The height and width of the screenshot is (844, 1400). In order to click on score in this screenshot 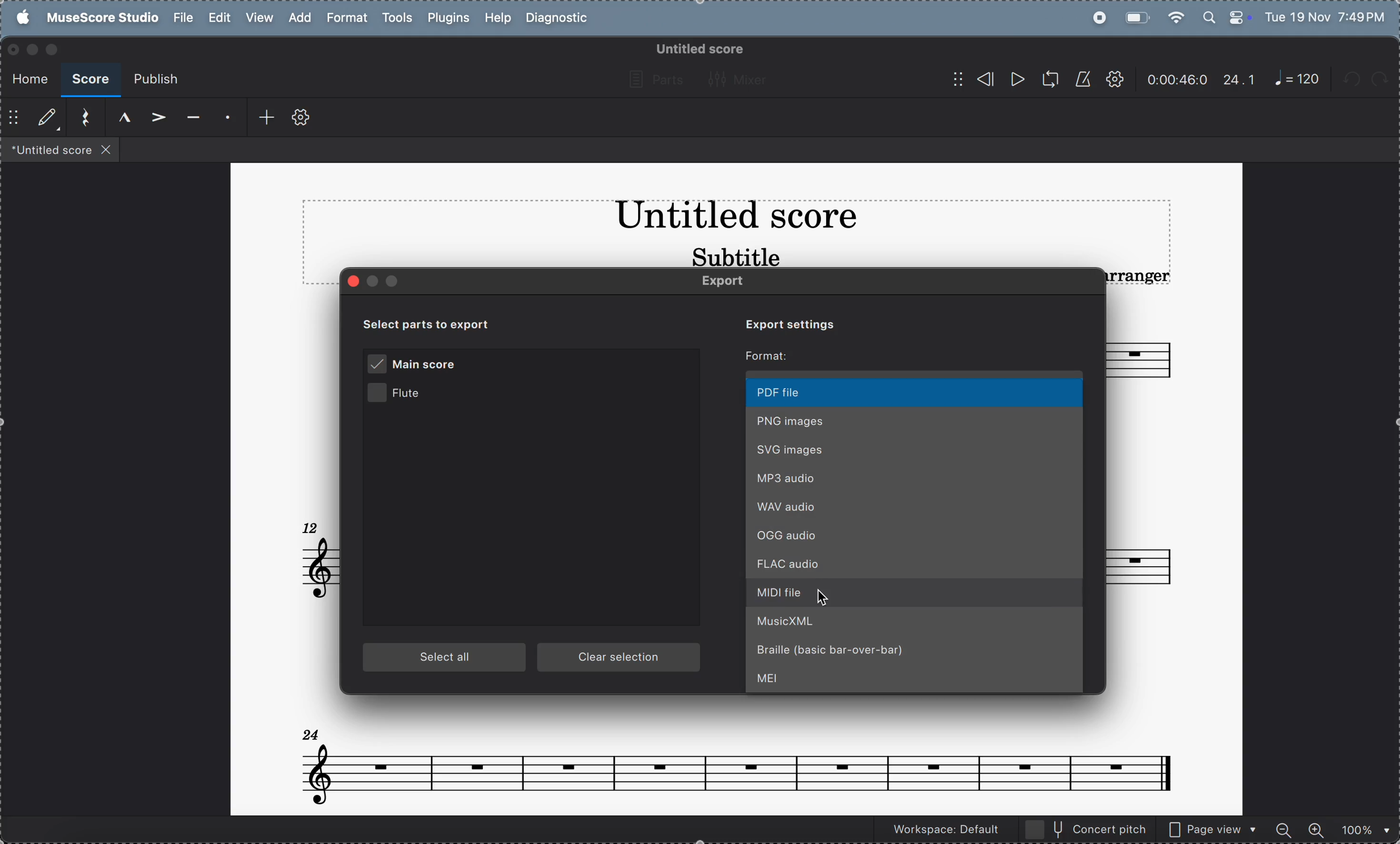, I will do `click(90, 80)`.